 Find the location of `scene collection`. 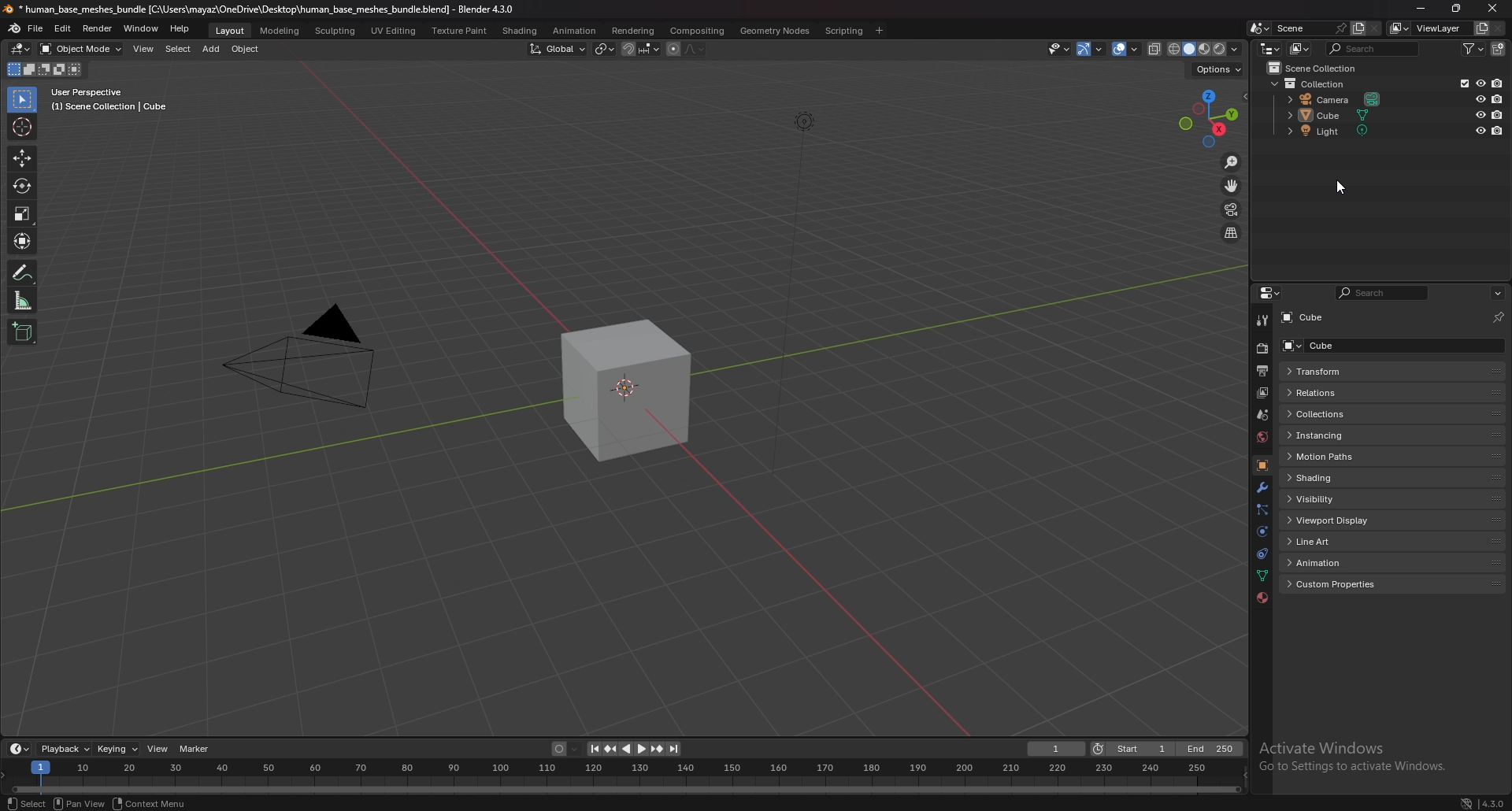

scene collection is located at coordinates (1318, 67).